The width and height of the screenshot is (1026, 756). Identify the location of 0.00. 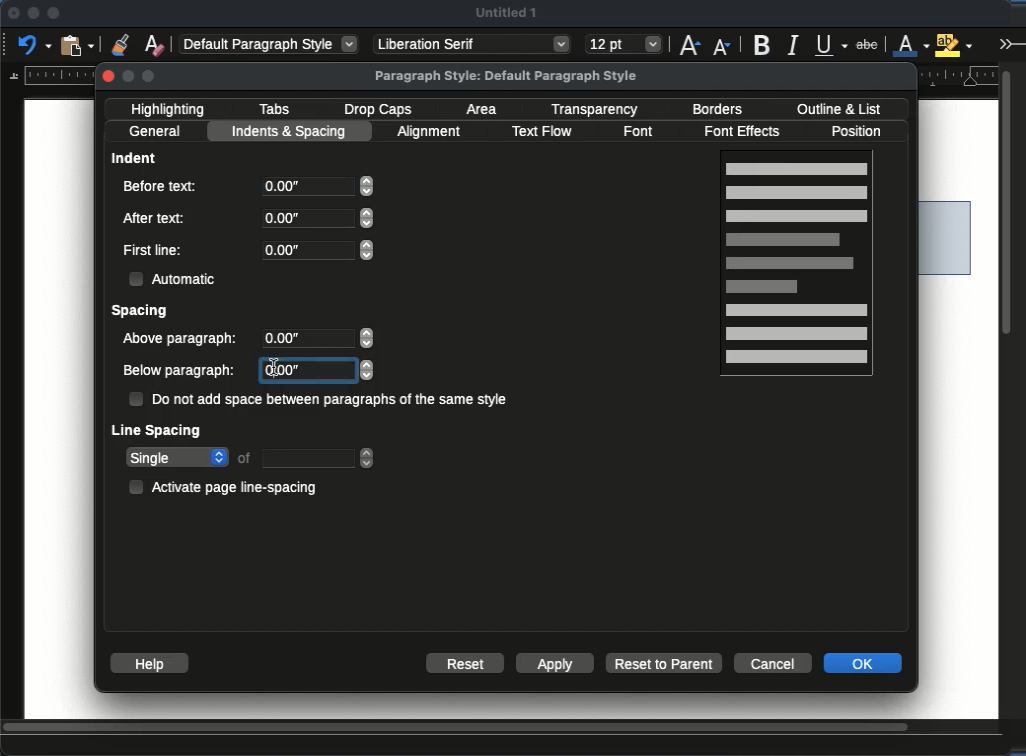
(319, 219).